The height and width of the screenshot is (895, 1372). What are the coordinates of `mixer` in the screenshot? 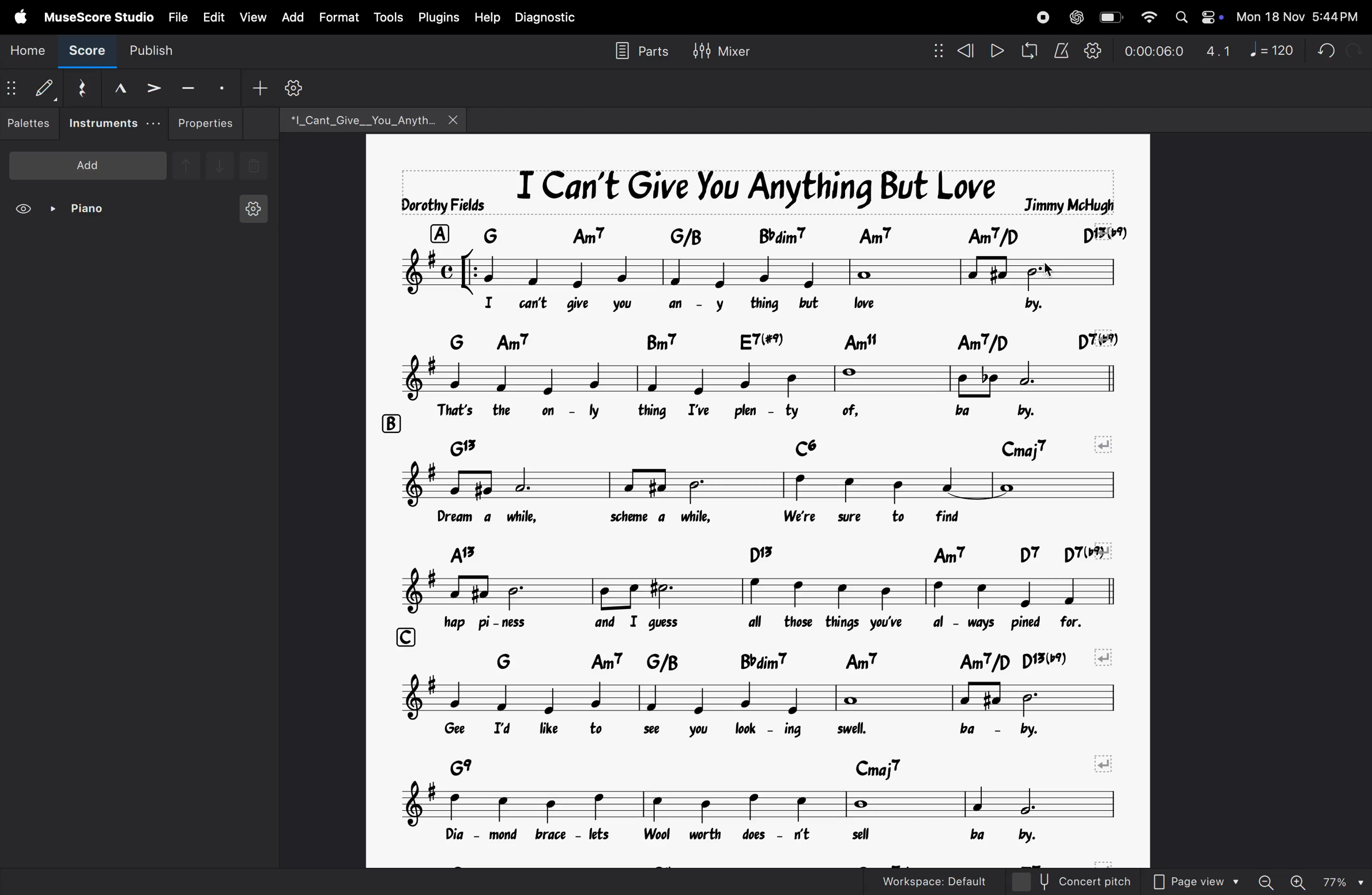 It's located at (724, 52).